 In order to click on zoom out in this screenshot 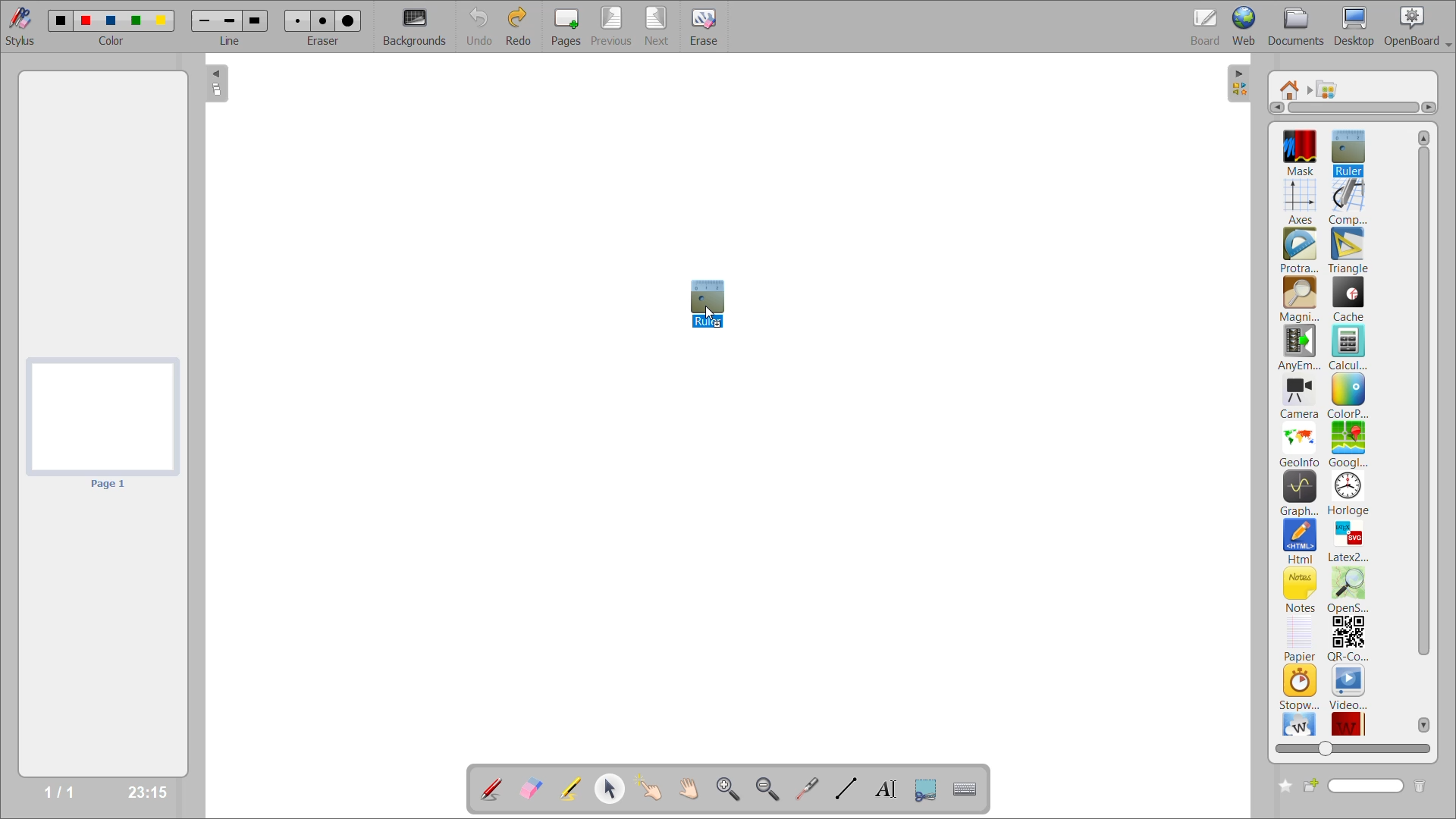, I will do `click(770, 788)`.